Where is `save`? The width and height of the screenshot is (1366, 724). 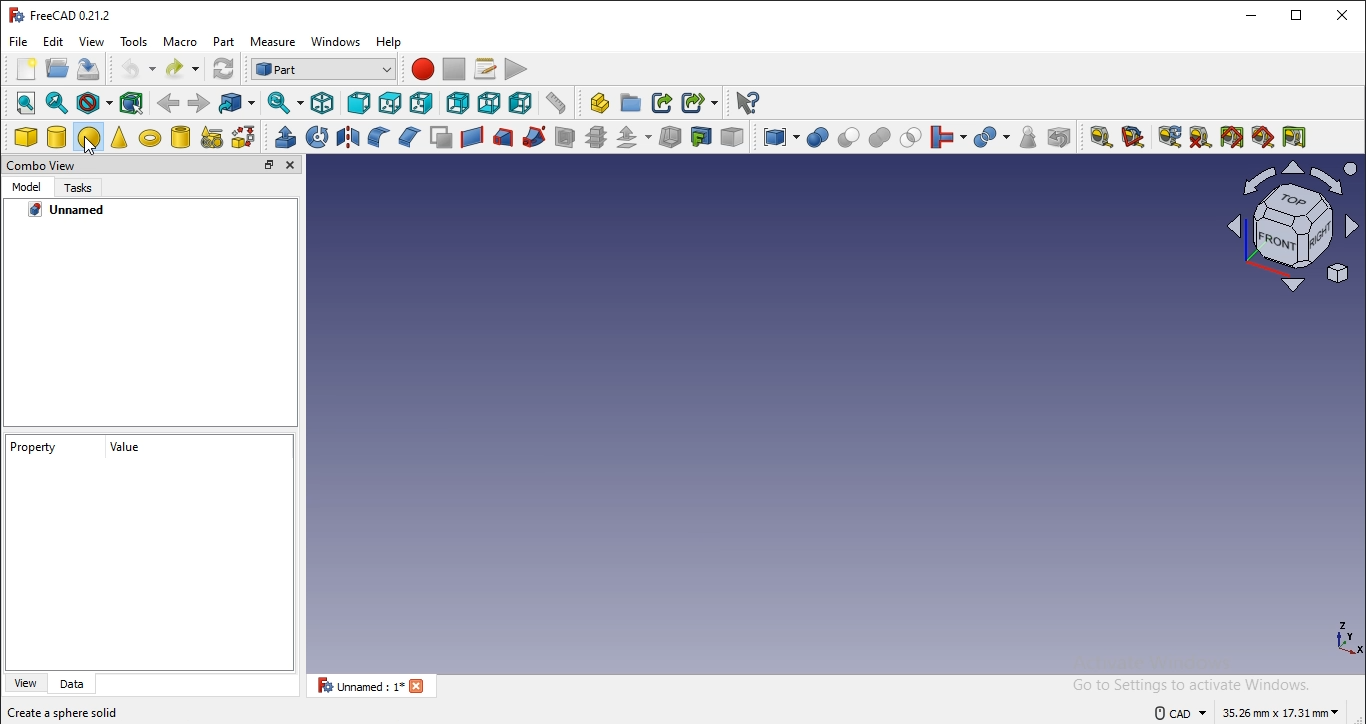 save is located at coordinates (90, 68).